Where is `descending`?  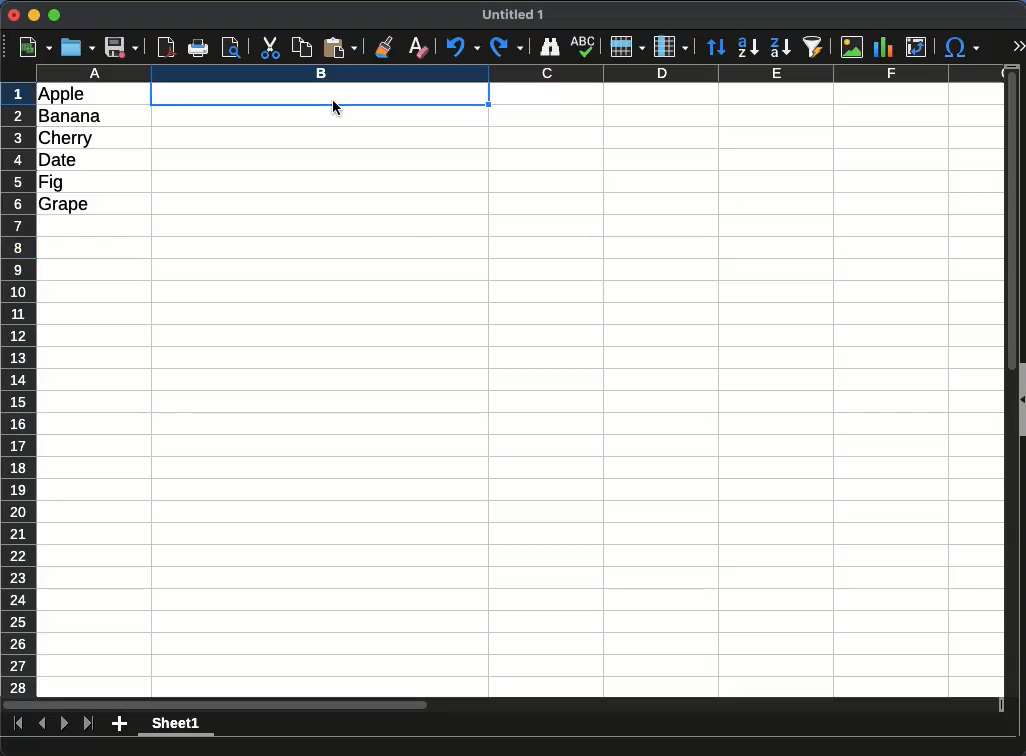
descending is located at coordinates (780, 47).